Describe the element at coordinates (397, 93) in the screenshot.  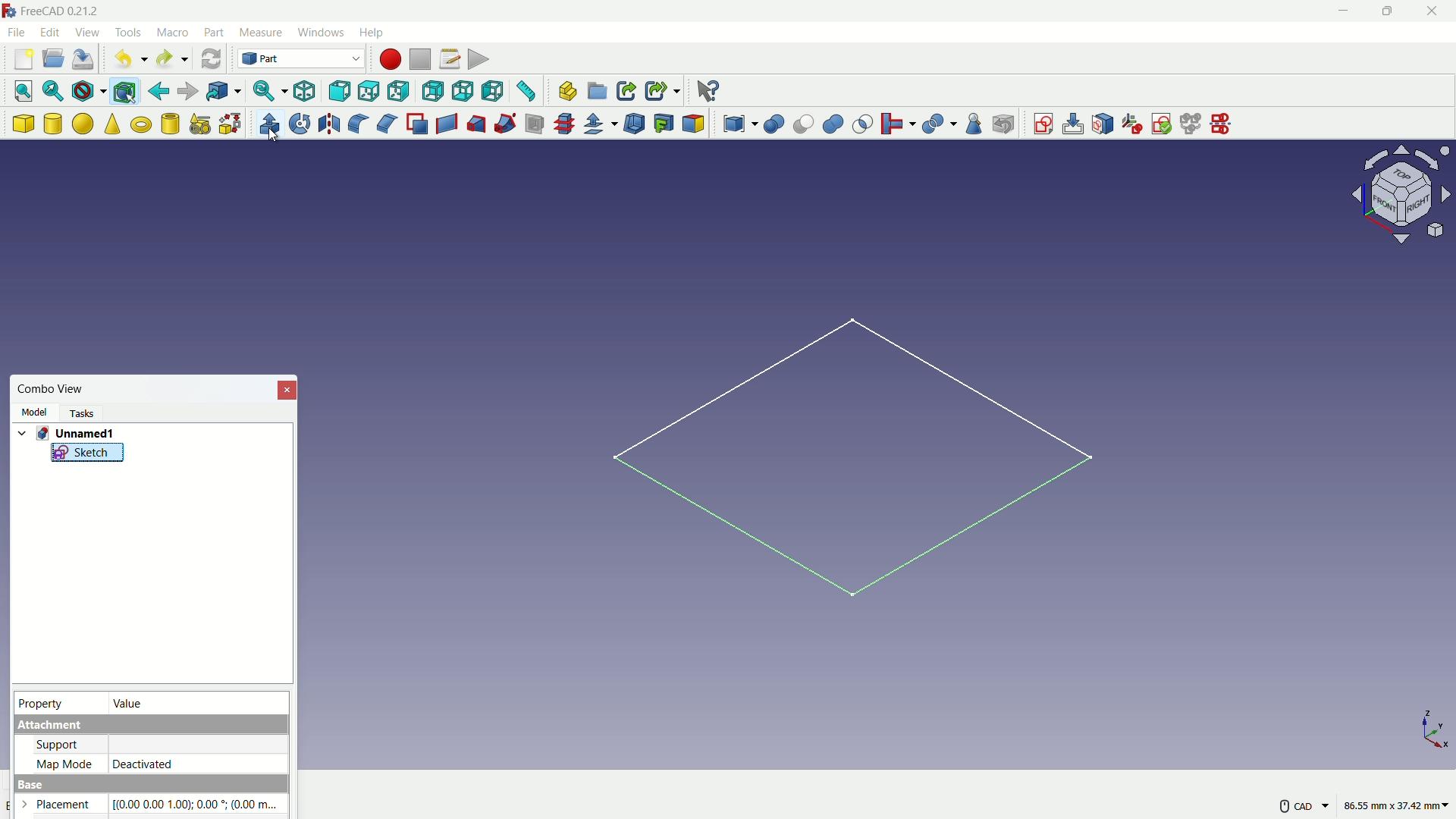
I see `right view` at that location.